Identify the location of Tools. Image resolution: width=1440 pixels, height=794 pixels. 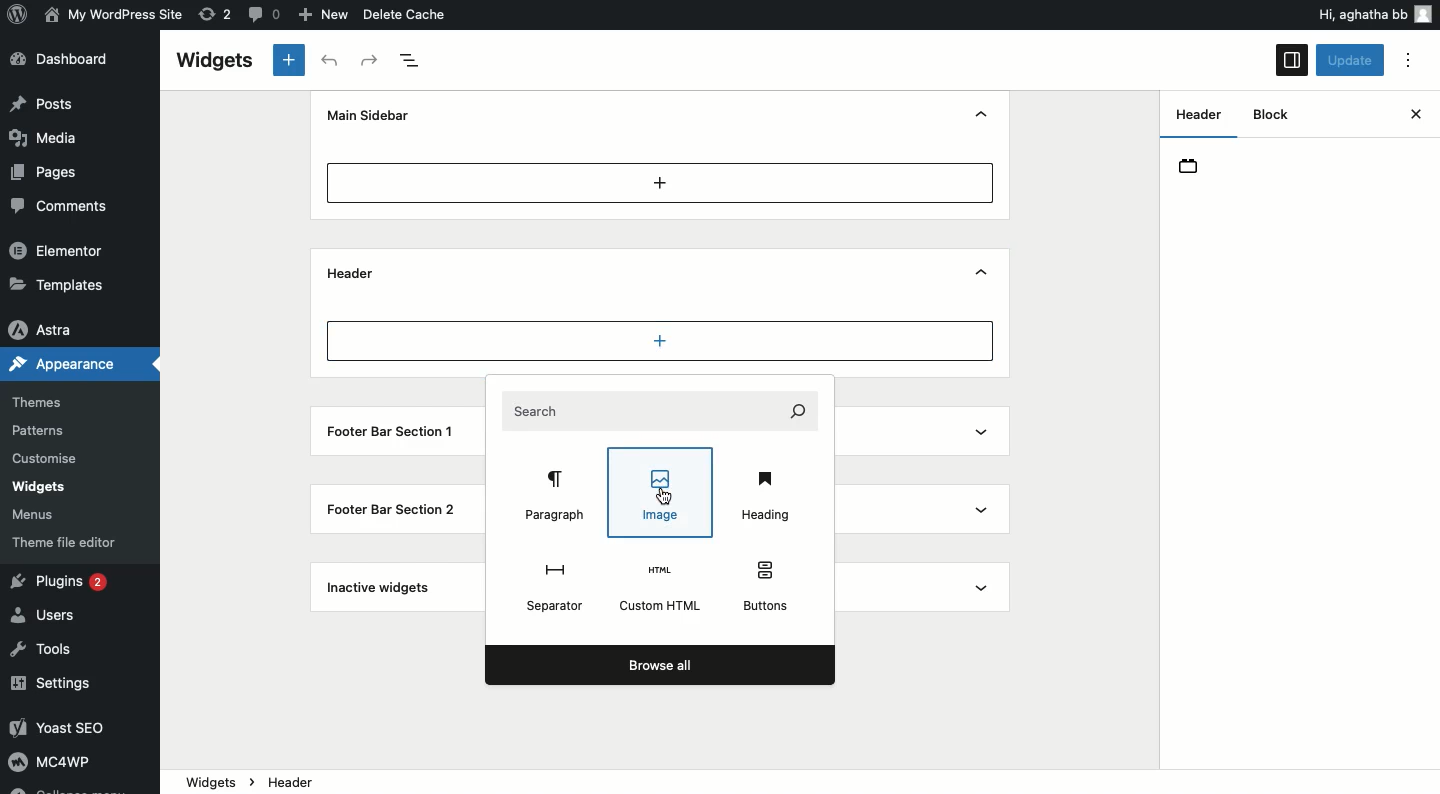
(43, 651).